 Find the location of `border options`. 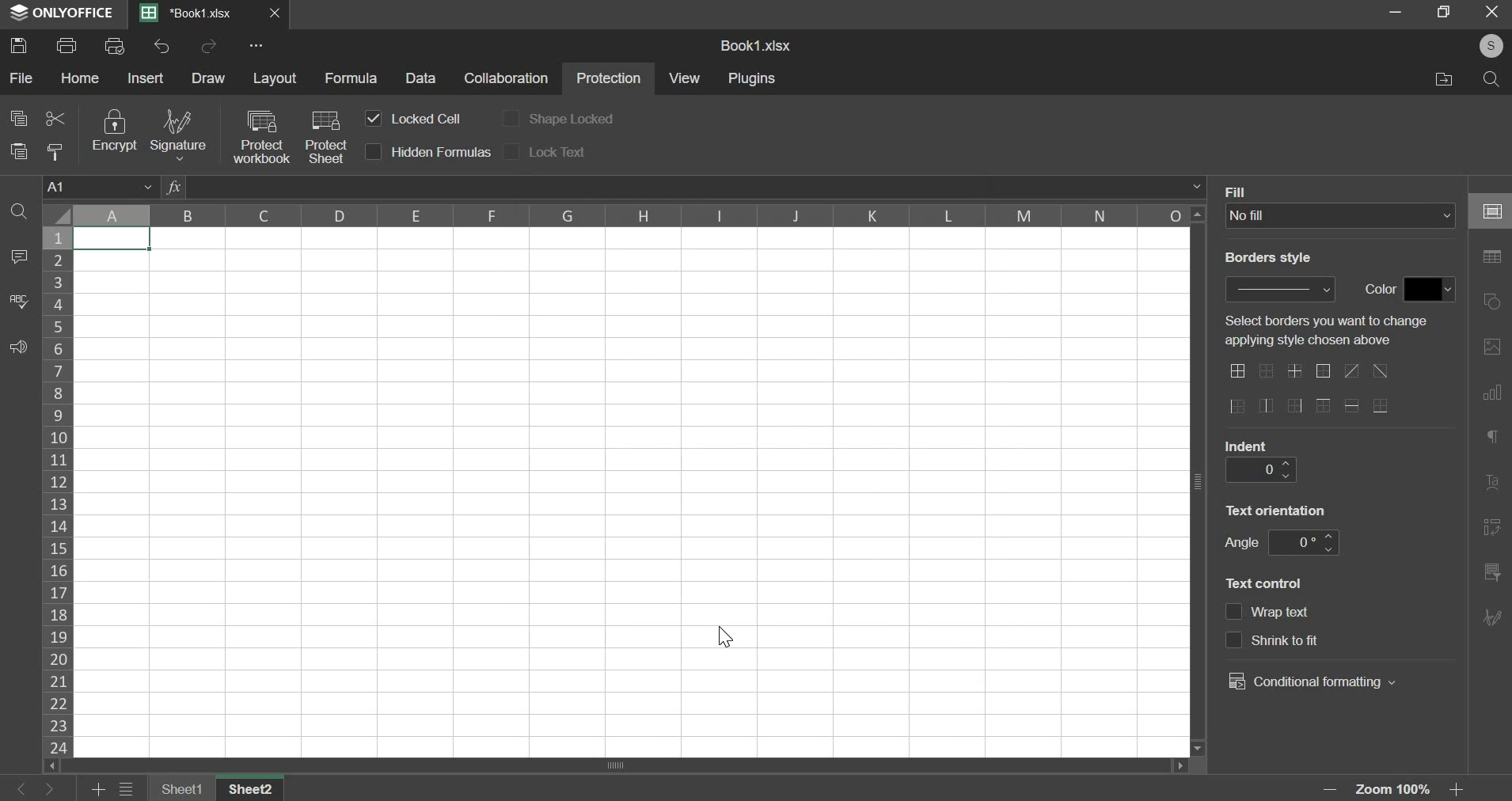

border options is located at coordinates (1237, 370).